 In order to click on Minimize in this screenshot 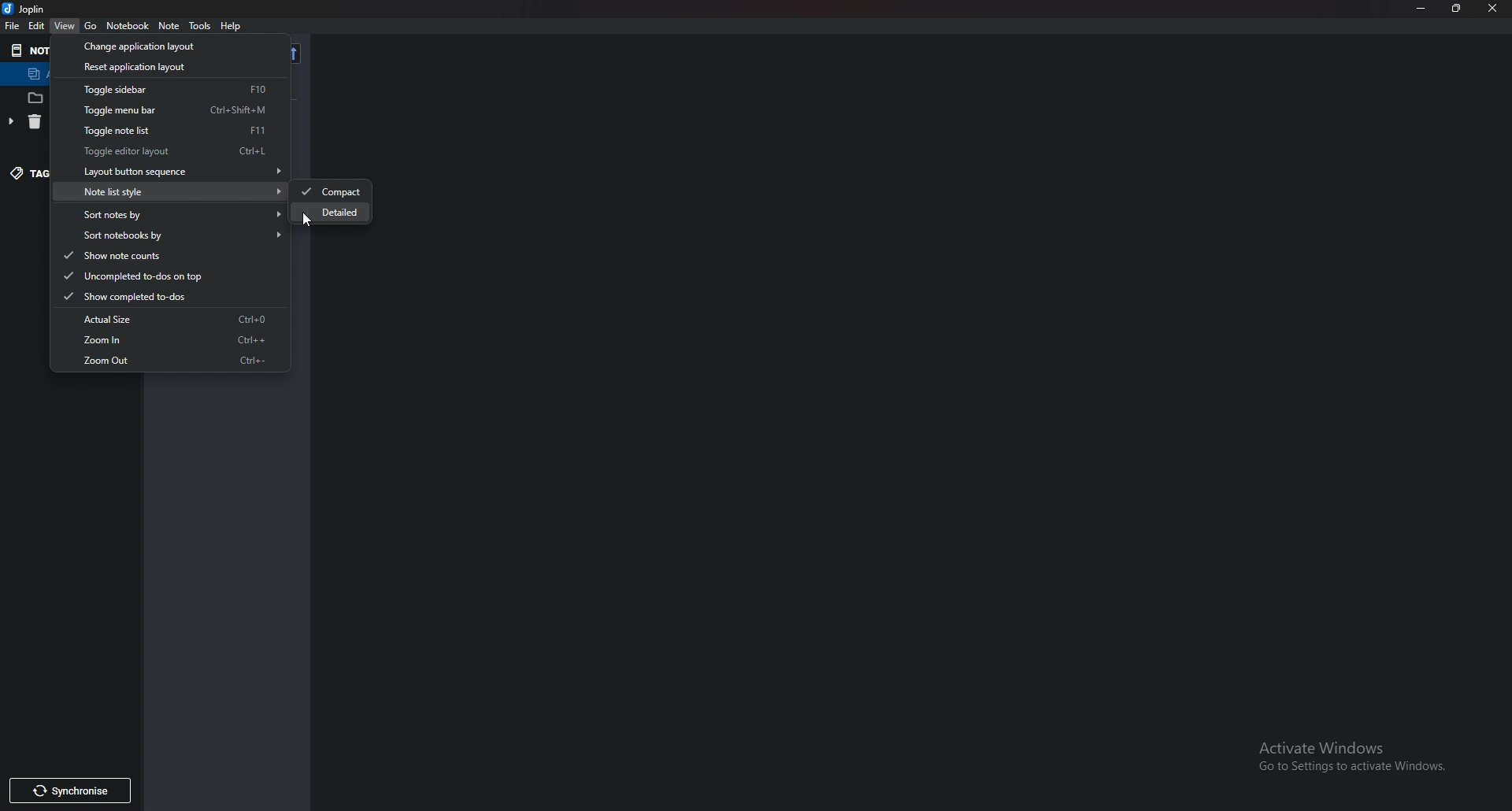, I will do `click(1423, 9)`.